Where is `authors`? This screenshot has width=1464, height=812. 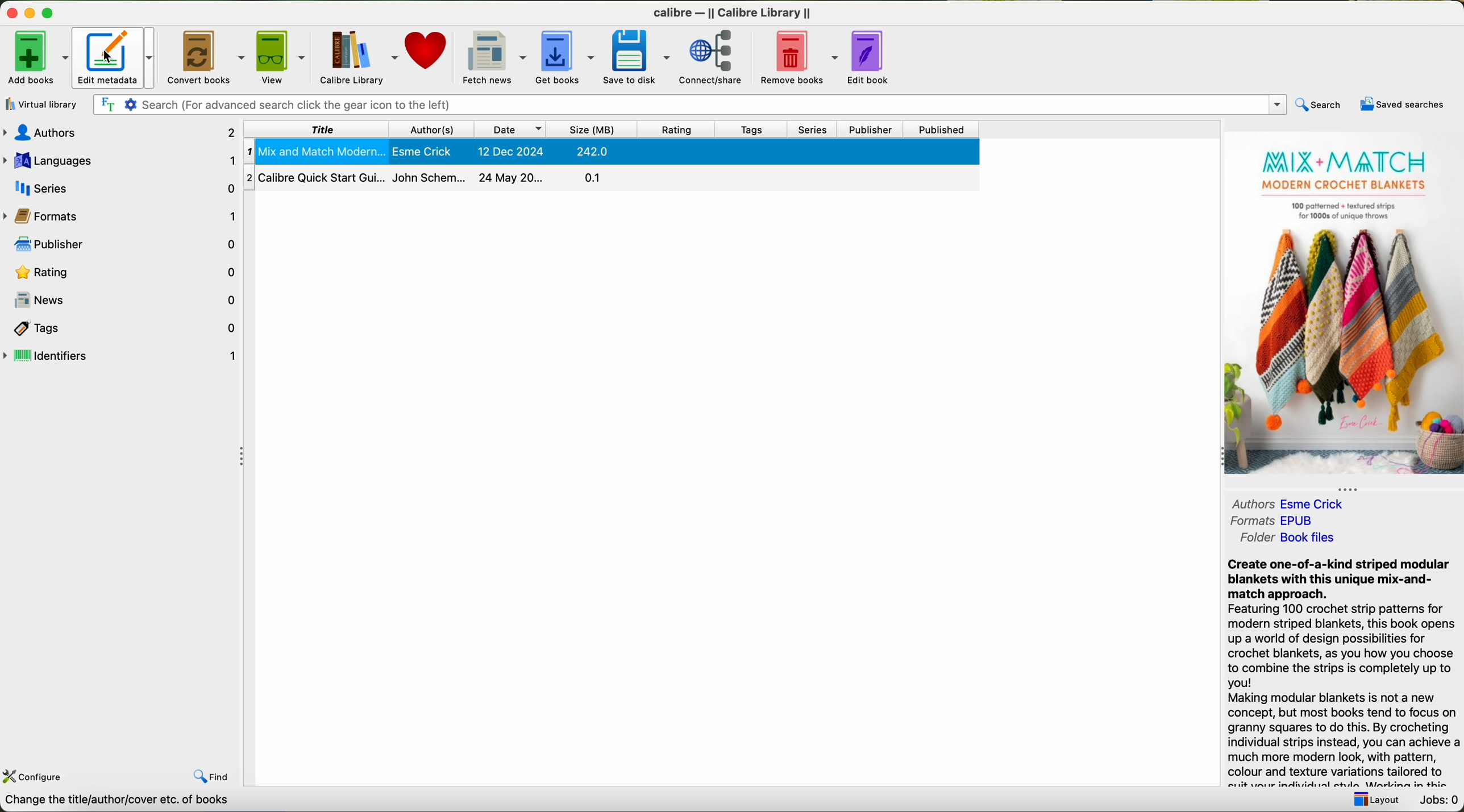 authors is located at coordinates (120, 134).